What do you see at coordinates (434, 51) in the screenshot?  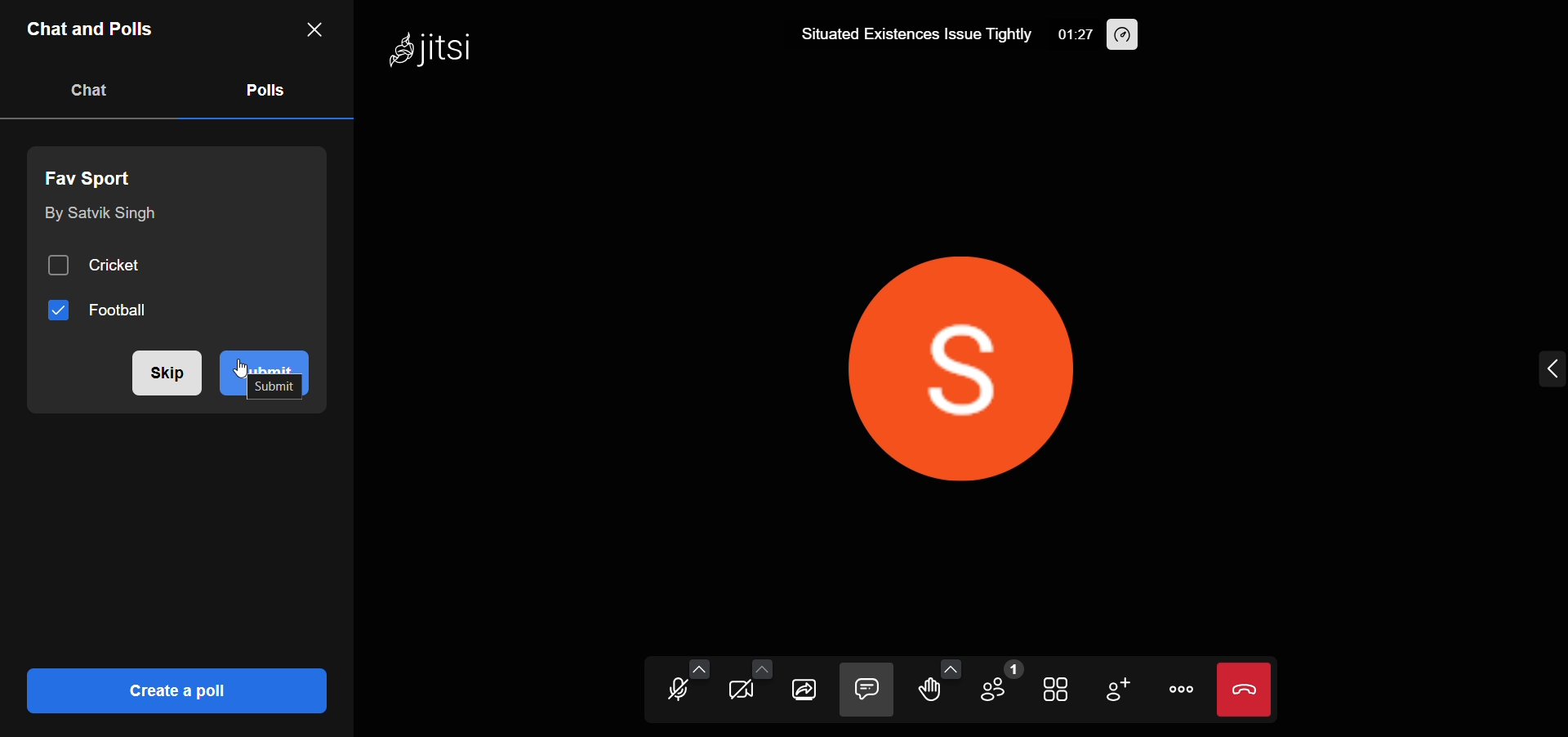 I see `Jitsi` at bounding box center [434, 51].